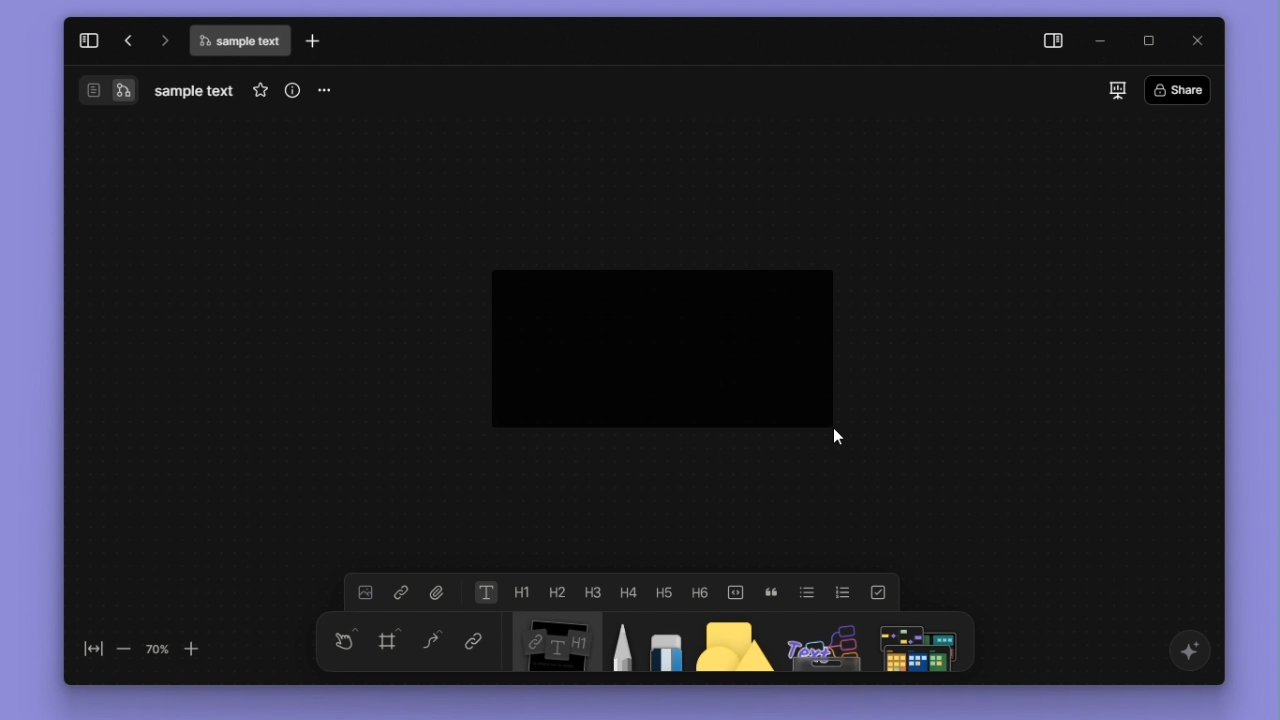 Image resolution: width=1280 pixels, height=720 pixels. I want to click on link, so click(400, 593).